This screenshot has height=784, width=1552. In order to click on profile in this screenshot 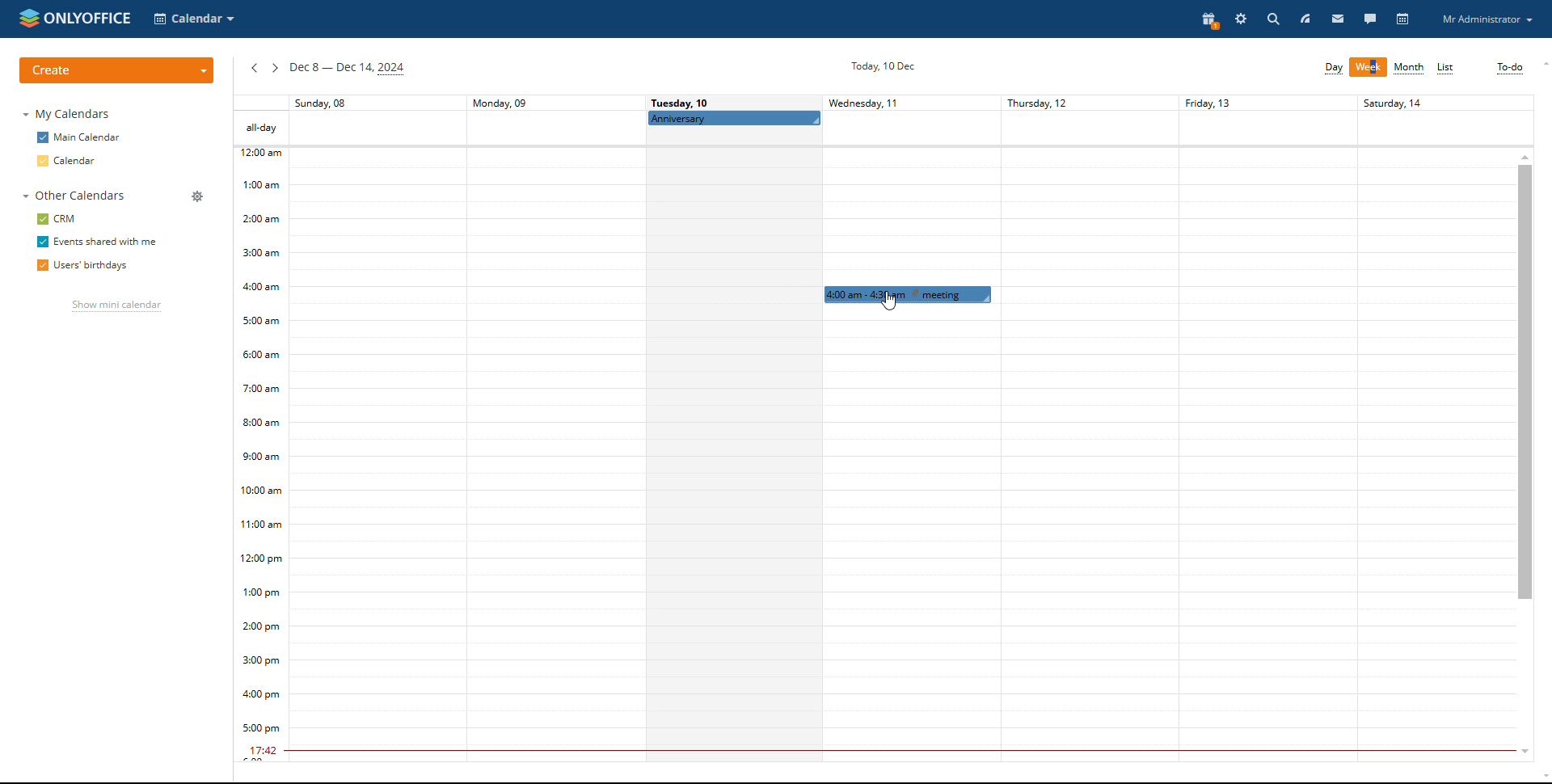, I will do `click(1487, 19)`.